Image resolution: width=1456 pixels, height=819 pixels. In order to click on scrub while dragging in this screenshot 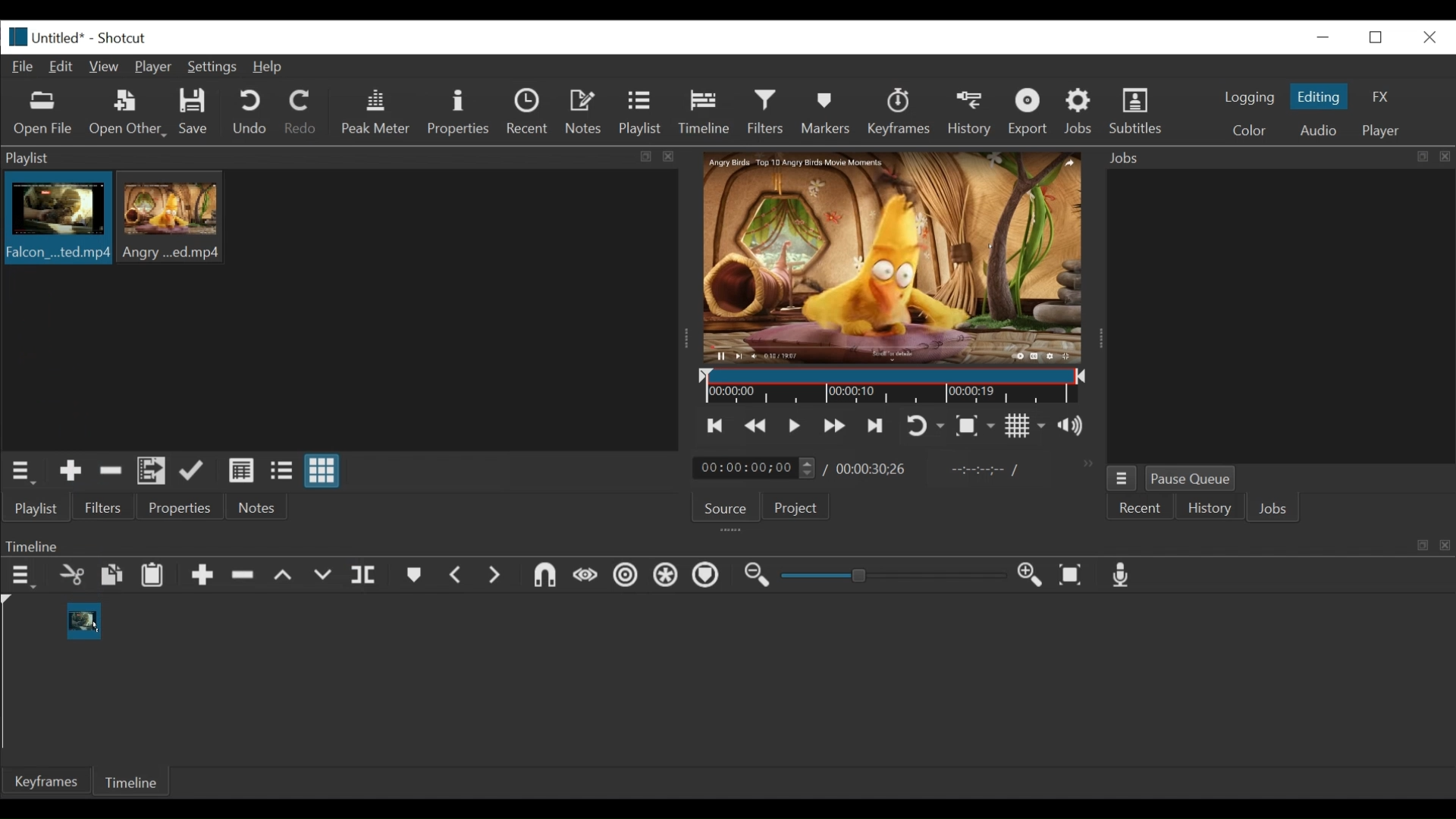, I will do `click(586, 576)`.